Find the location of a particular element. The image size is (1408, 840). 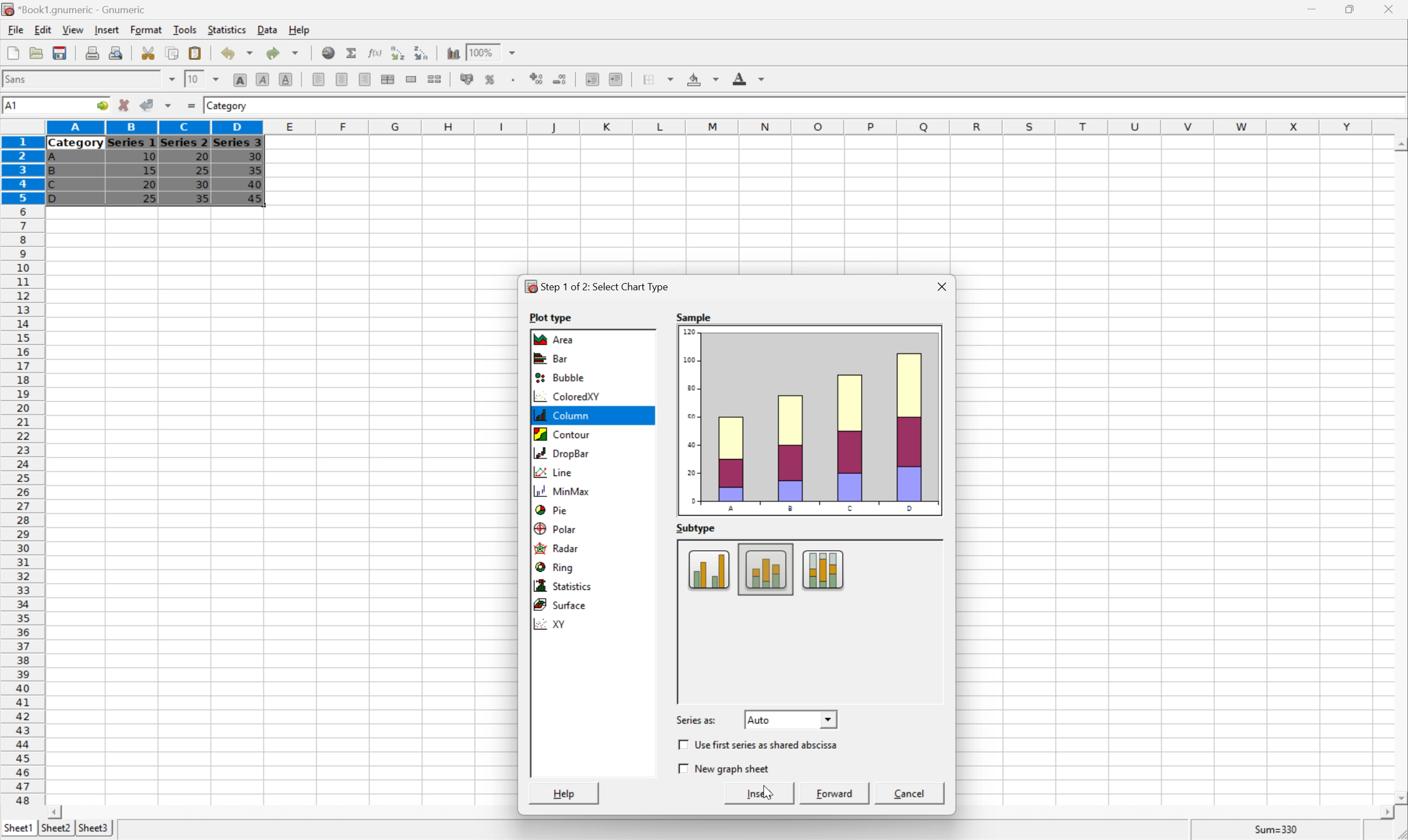

30 is located at coordinates (203, 186).